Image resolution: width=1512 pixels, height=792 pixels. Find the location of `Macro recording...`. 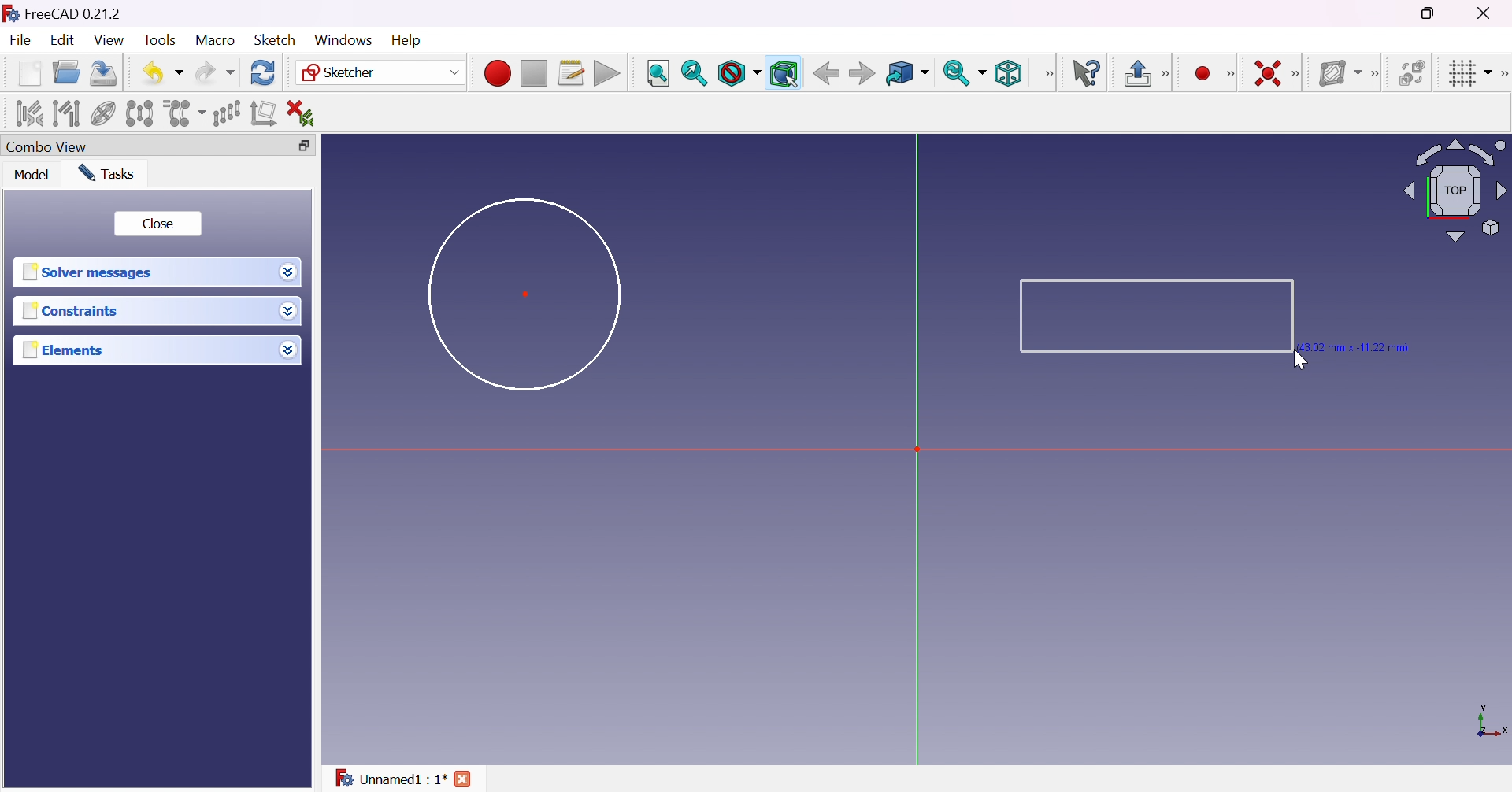

Macro recording... is located at coordinates (497, 71).